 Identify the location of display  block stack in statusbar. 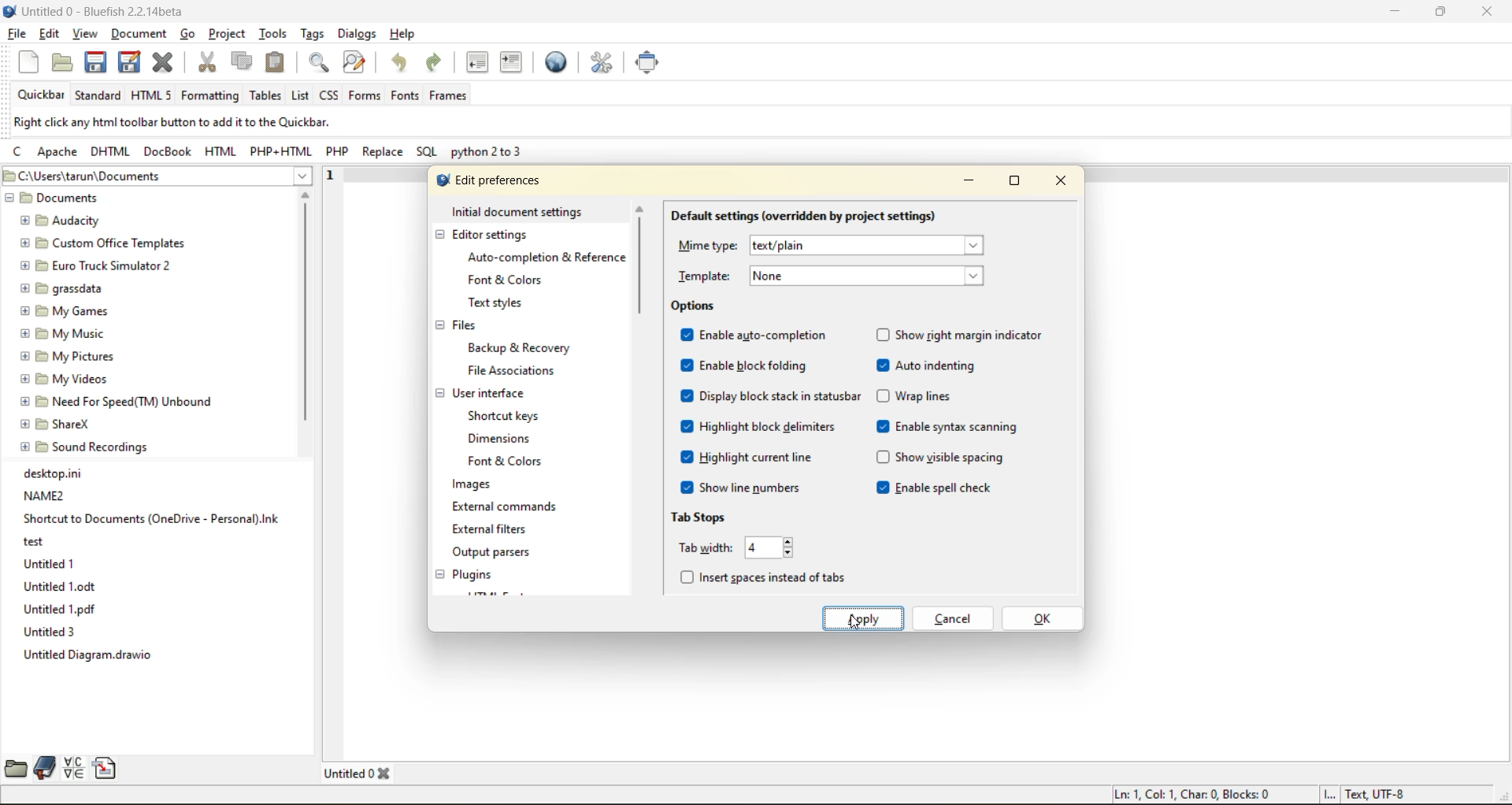
(773, 396).